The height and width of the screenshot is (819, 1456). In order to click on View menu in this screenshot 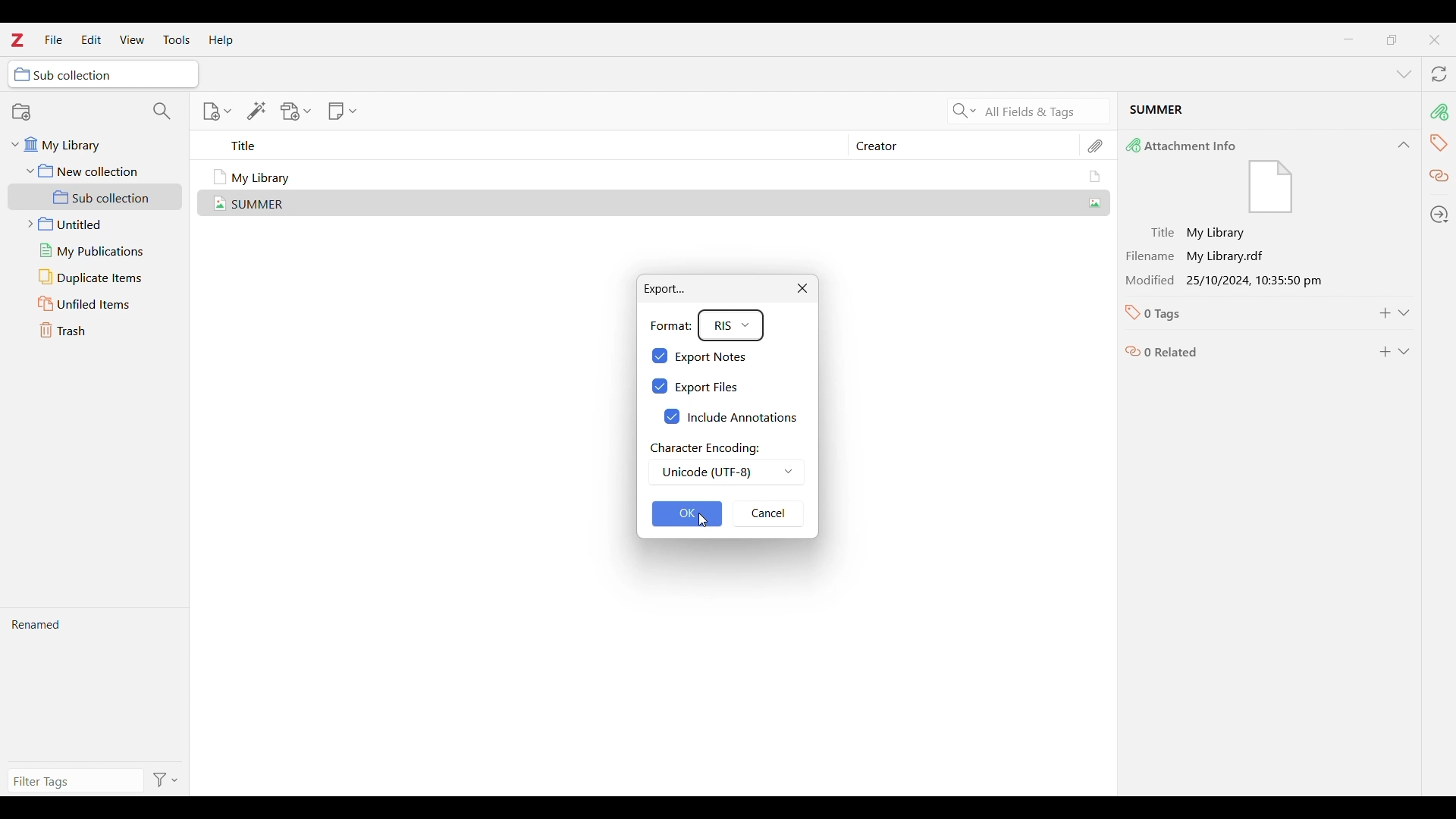, I will do `click(132, 39)`.